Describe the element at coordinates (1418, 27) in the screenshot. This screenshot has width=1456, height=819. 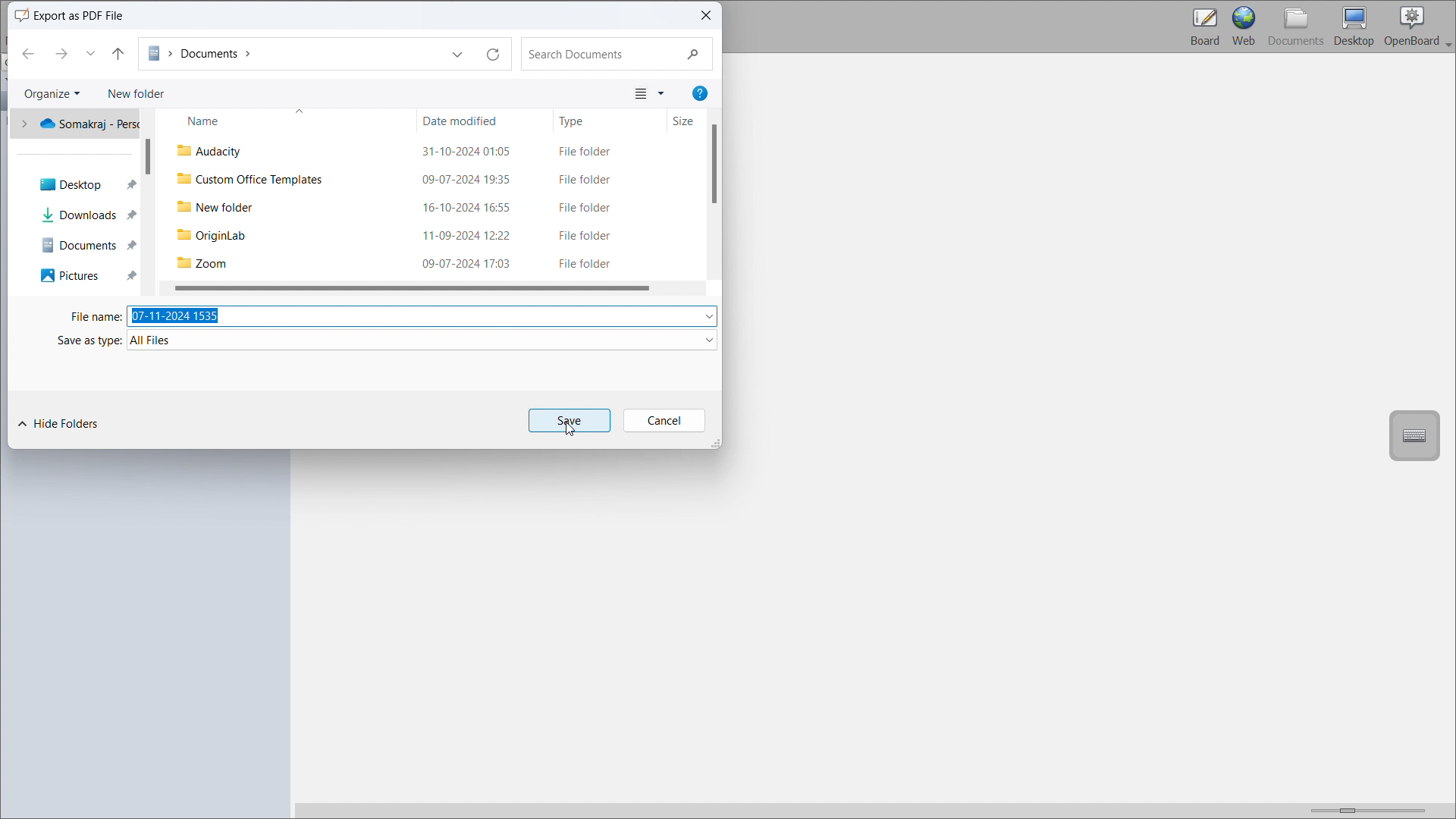
I see `openboard settings` at that location.